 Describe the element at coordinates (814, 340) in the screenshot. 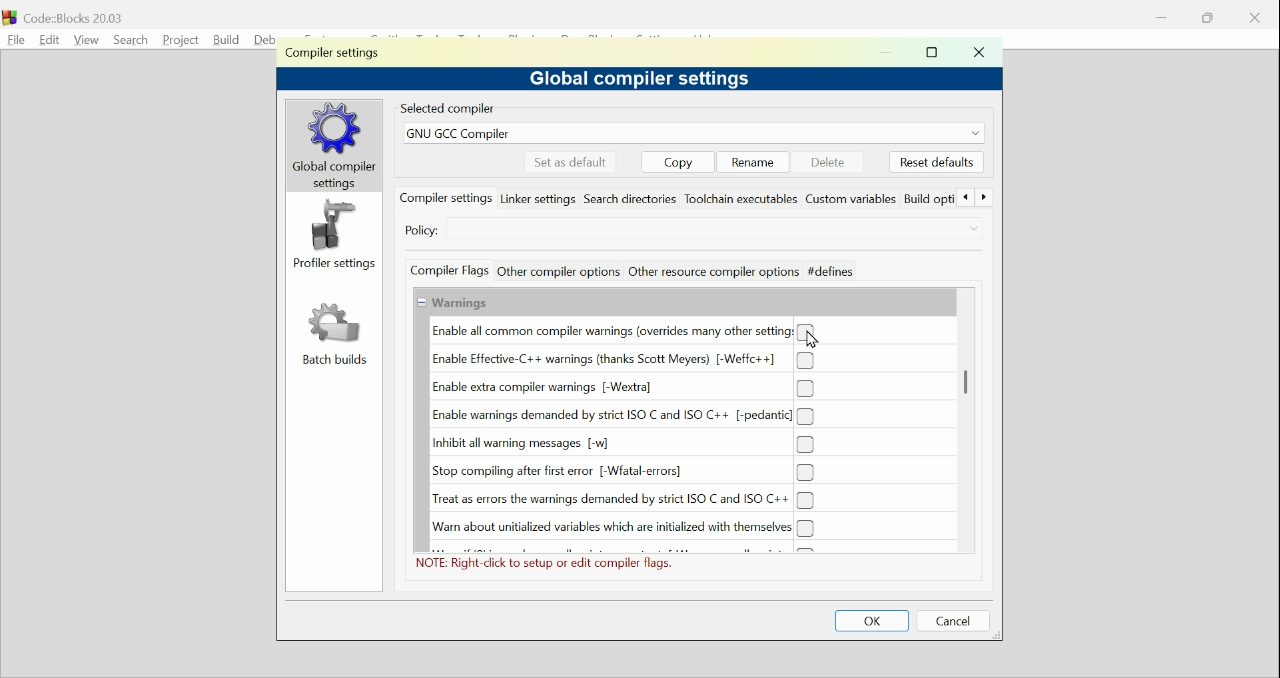

I see `Cursor` at that location.